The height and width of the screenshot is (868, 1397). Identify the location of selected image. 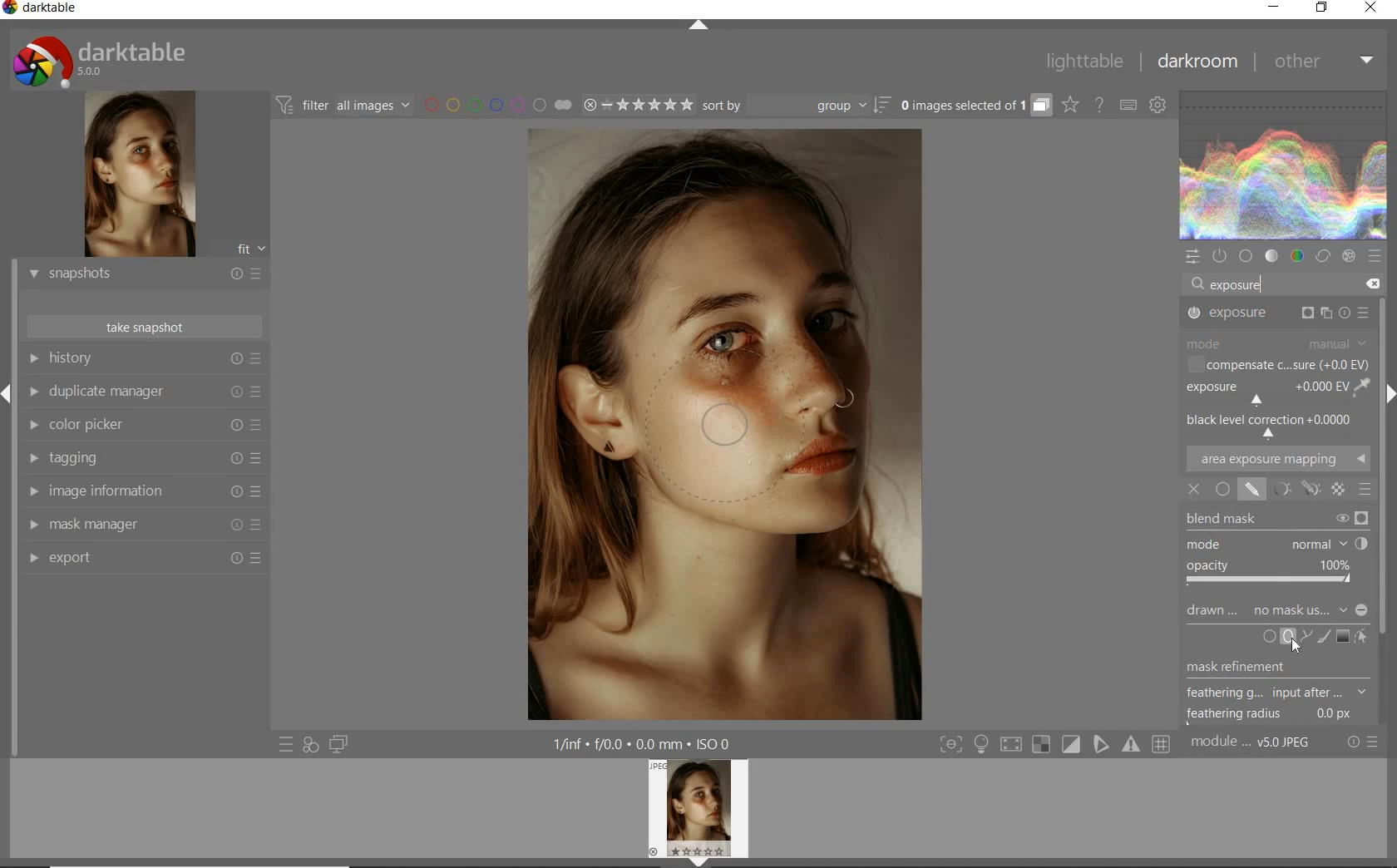
(728, 424).